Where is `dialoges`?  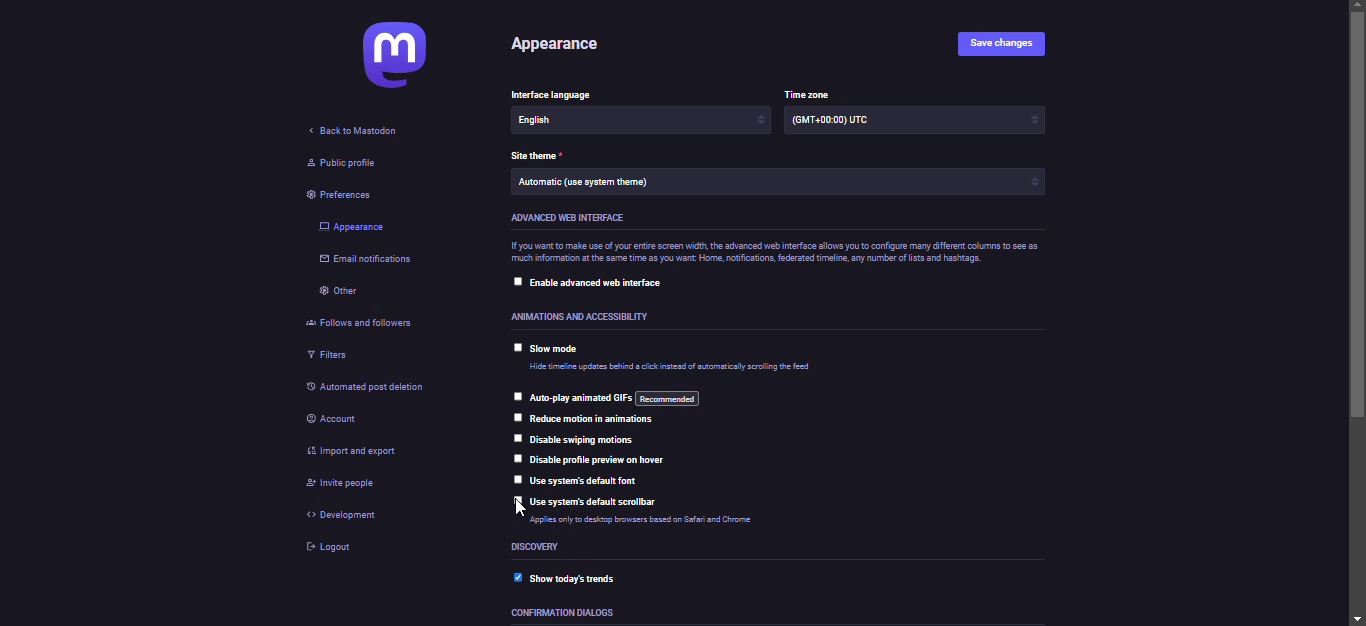 dialoges is located at coordinates (558, 610).